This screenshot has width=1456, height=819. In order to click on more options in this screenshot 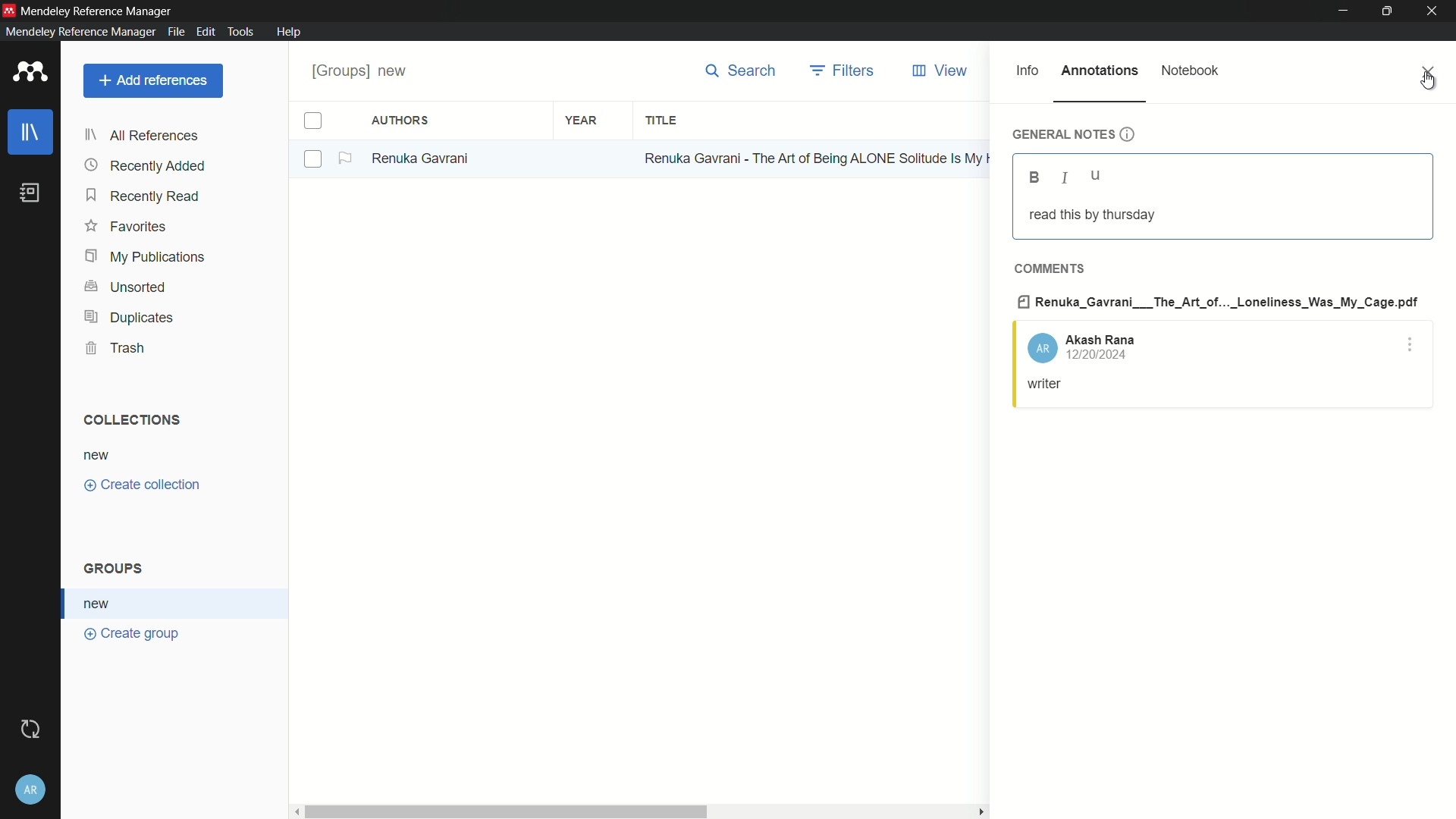, I will do `click(1411, 347)`.